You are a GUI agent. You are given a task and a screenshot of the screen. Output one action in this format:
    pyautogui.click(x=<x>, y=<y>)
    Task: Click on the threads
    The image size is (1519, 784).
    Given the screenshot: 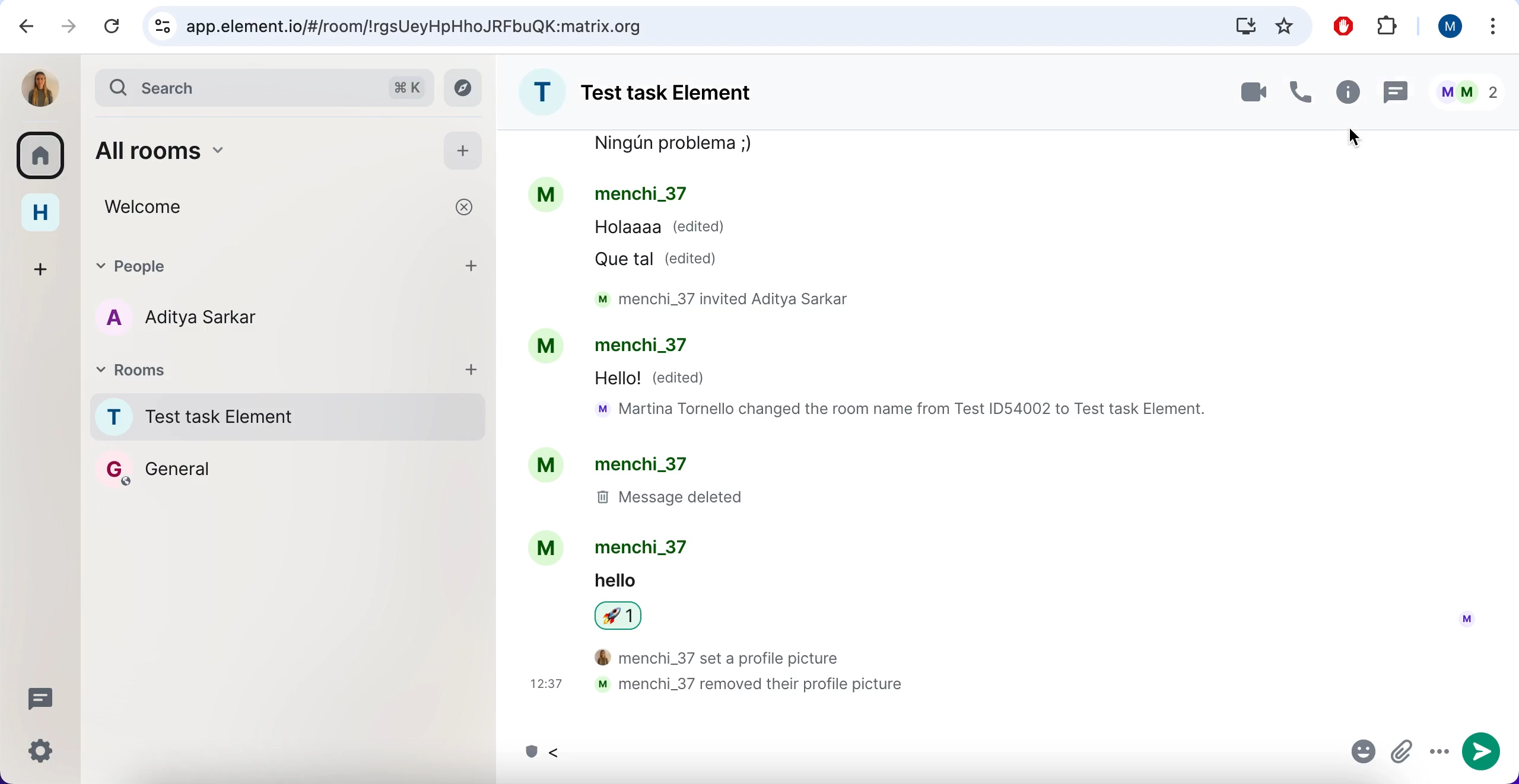 What is the action you would take?
    pyautogui.click(x=1397, y=93)
    